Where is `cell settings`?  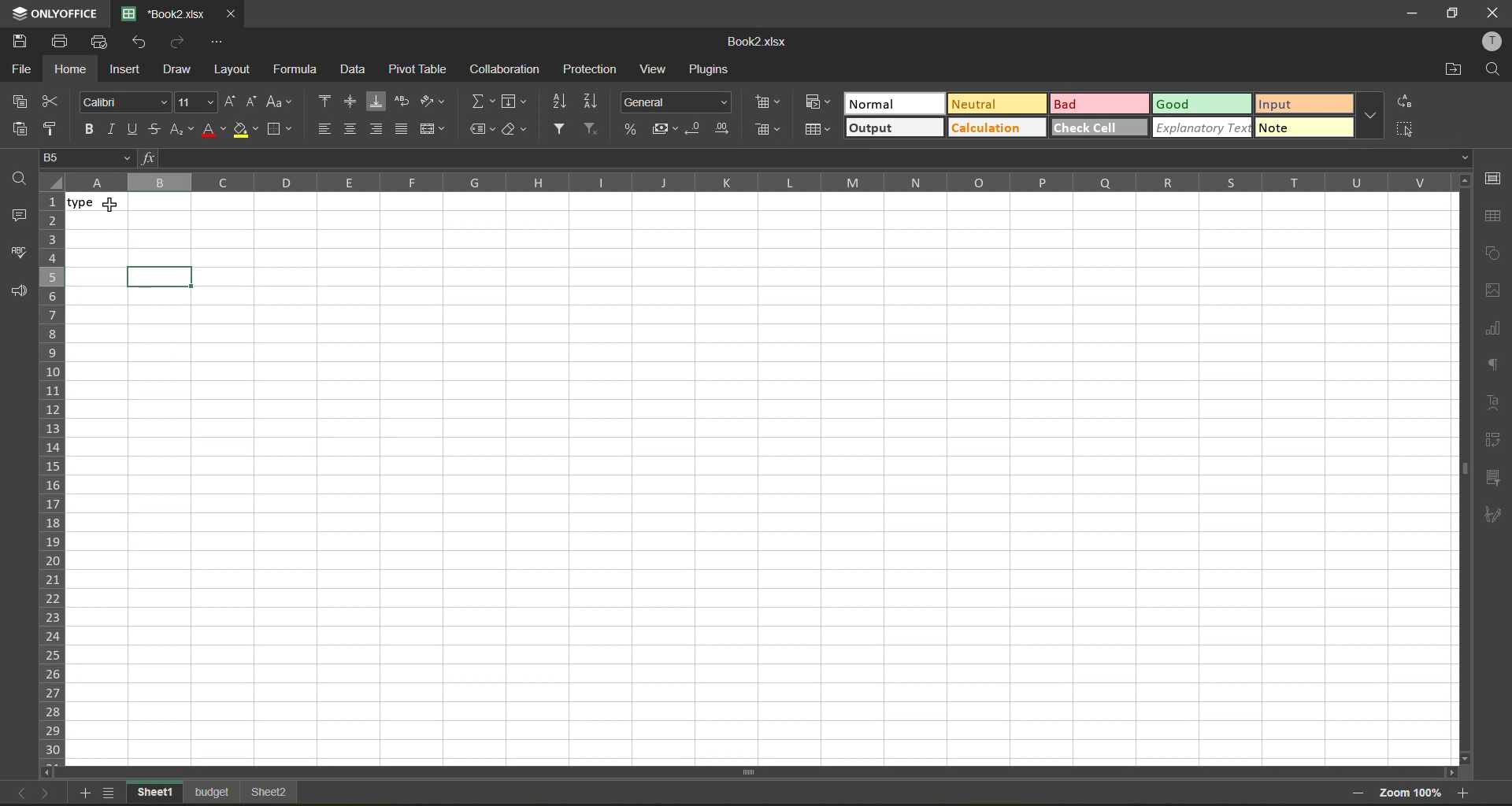 cell settings is located at coordinates (1494, 178).